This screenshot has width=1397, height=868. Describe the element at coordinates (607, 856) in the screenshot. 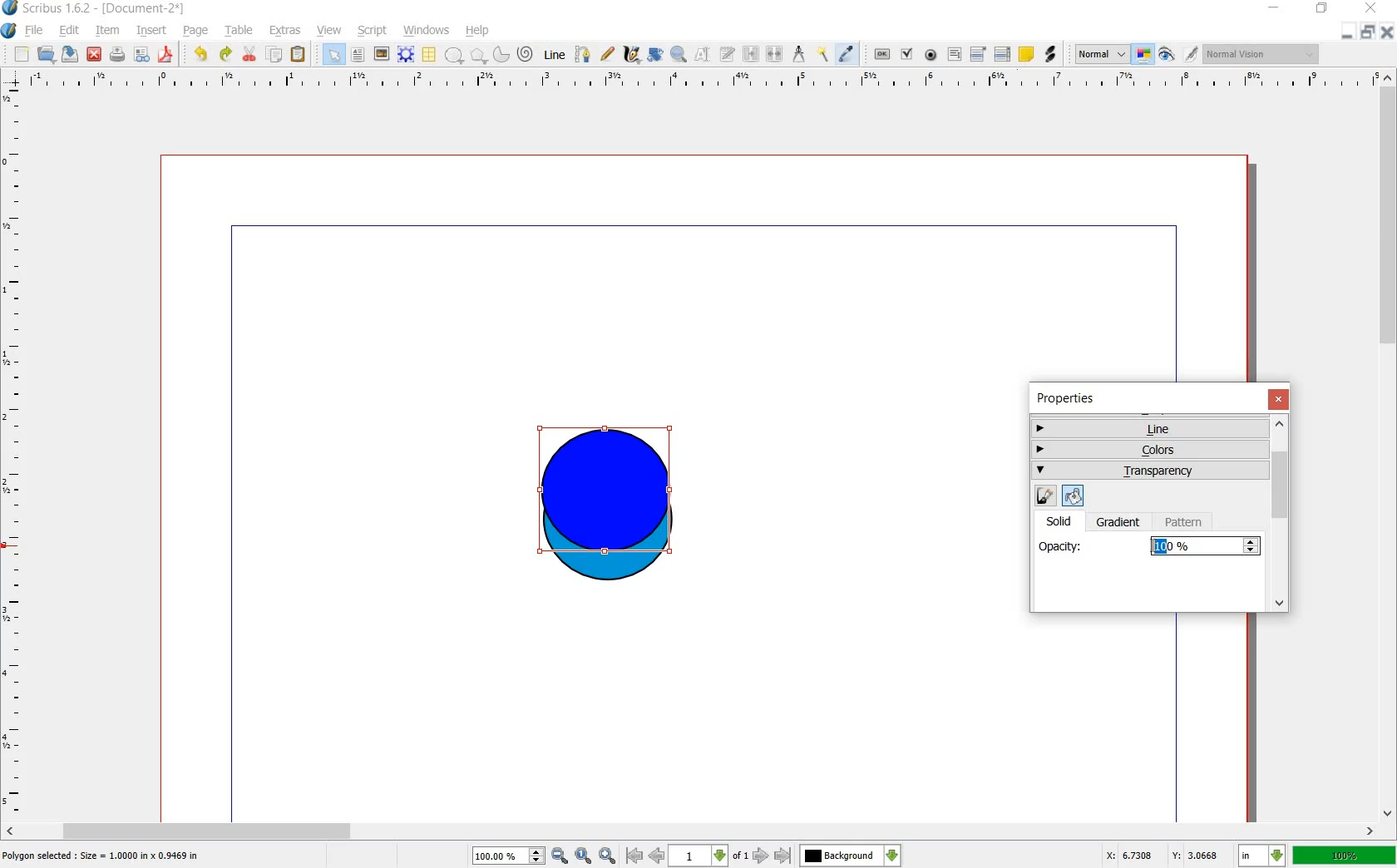

I see `zoom in` at that location.